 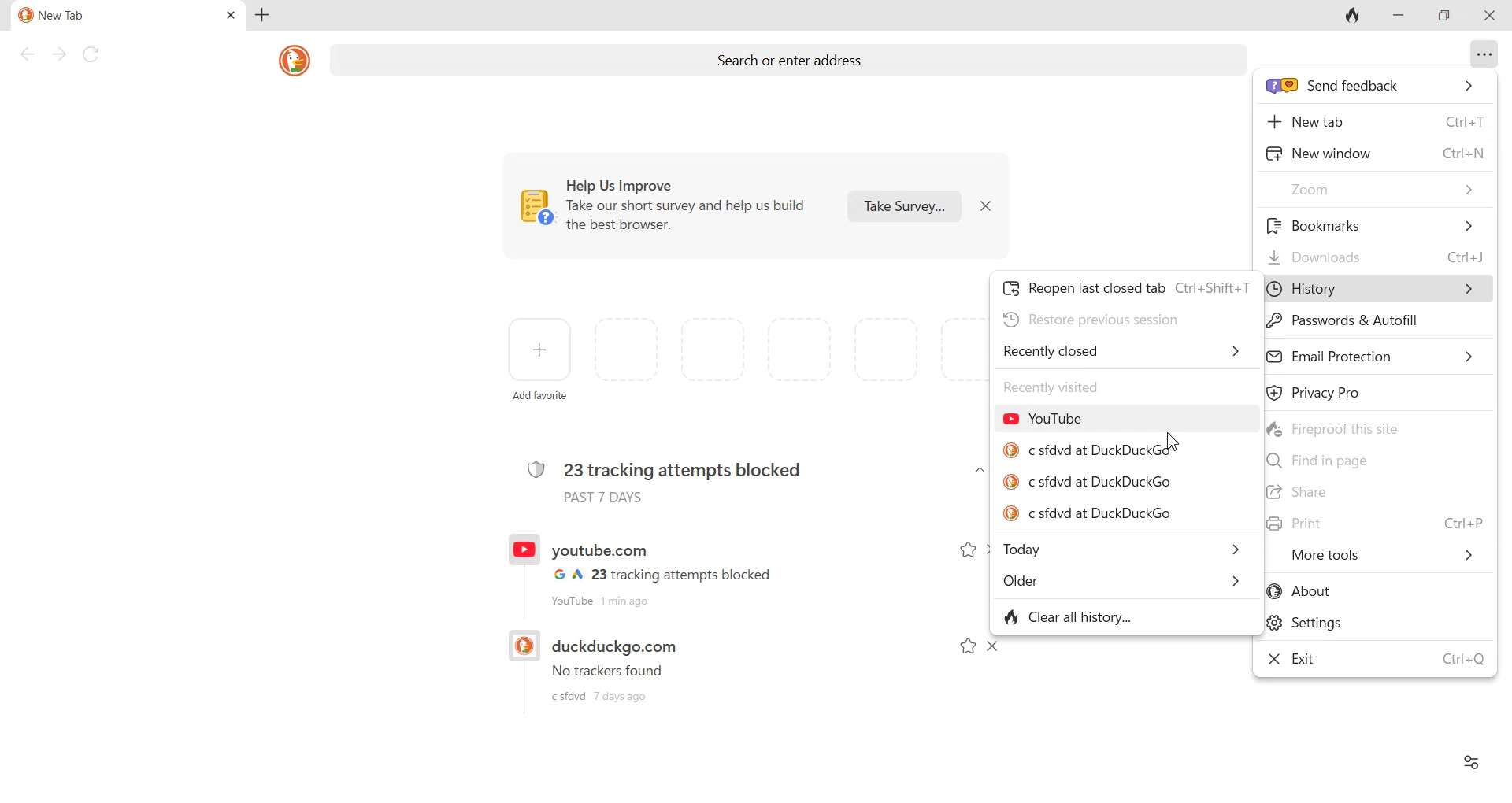 I want to click on Add new tab, so click(x=261, y=15).